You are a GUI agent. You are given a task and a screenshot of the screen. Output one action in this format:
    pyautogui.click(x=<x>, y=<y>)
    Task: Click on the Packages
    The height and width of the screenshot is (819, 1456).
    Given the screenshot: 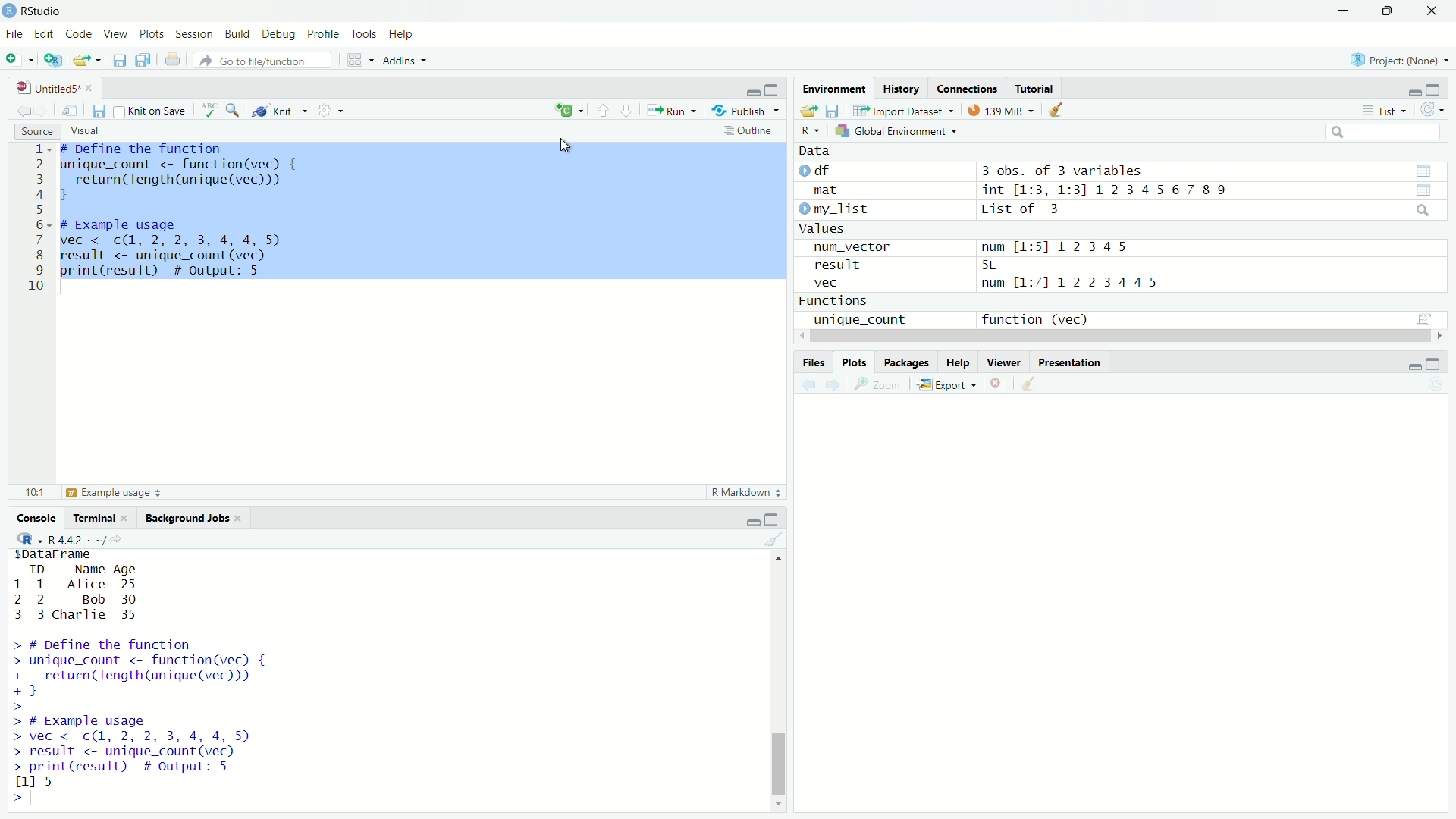 What is the action you would take?
    pyautogui.click(x=905, y=362)
    